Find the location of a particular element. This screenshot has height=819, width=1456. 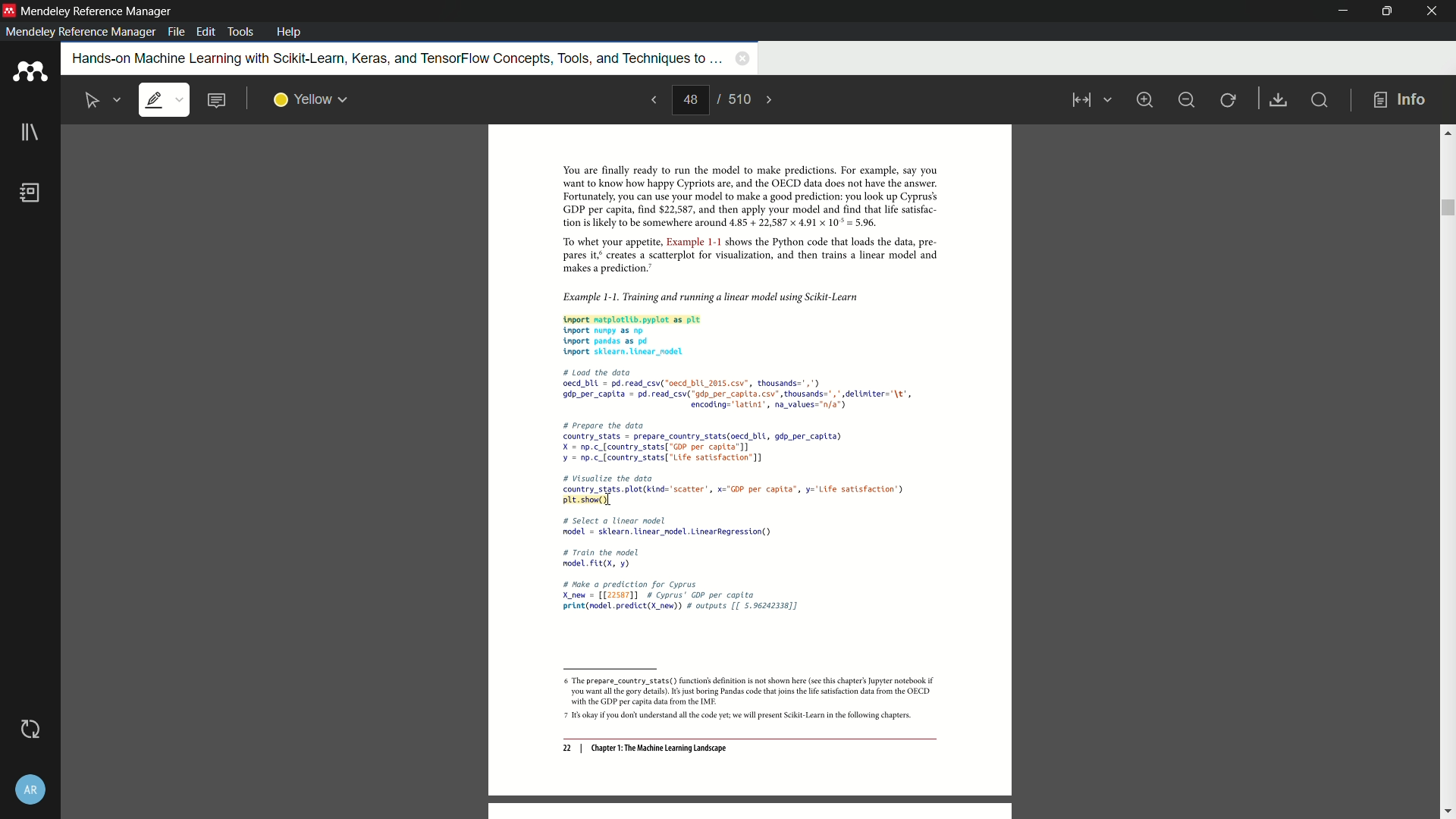

add note is located at coordinates (215, 101).